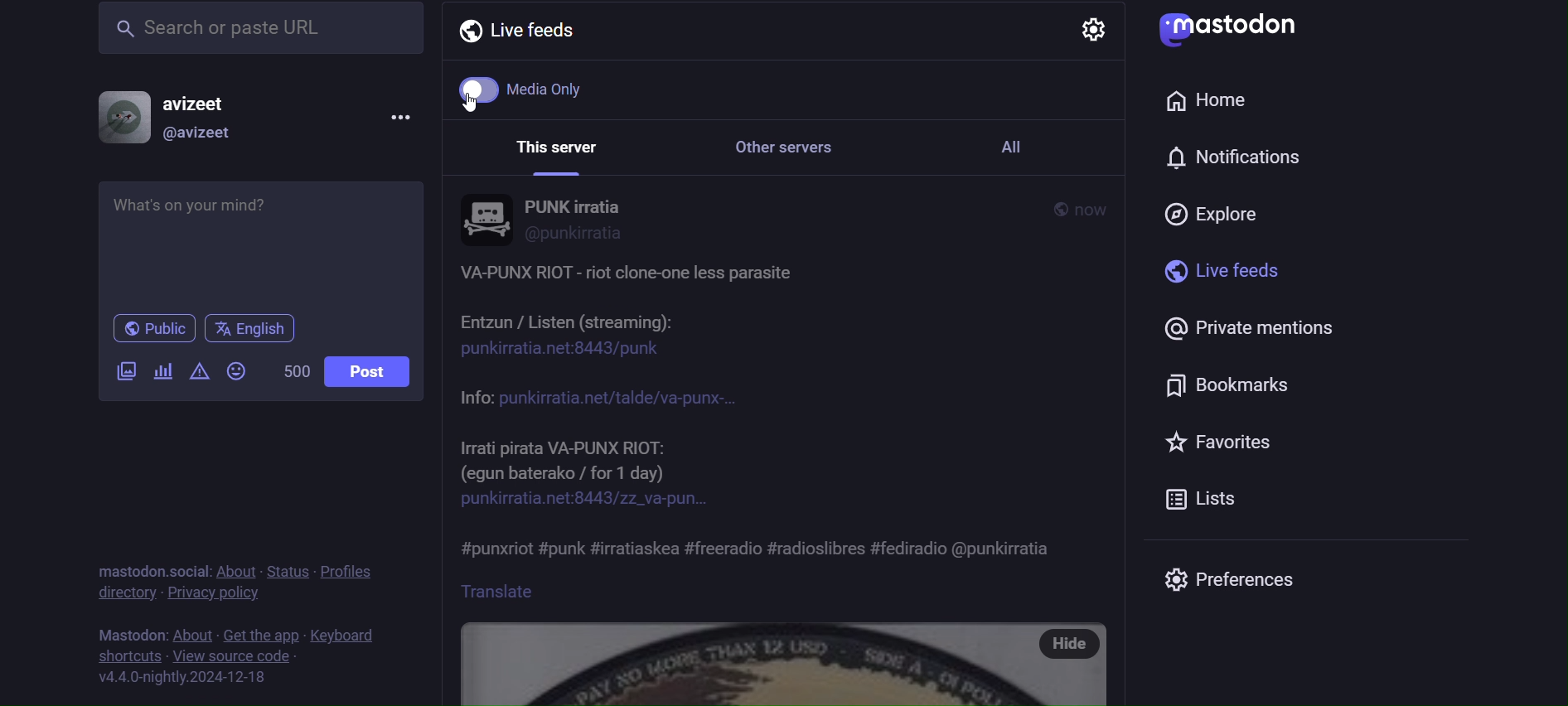 This screenshot has height=706, width=1568. Describe the element at coordinates (781, 415) in the screenshot. I see `VA-PUNX RIOT - riot clone-one less parasiteEntzun / Listen (streaming):punkirratia.net:8443/punkInfo: punkirratia.net/talde/va-punx-...Irrati pirata VA-PUNX RIOT:(egun baterako / for 1 day)punkirratia.net:8443/zz_va-pun...#punxriot #punk #irratiaskea #freeradio #radioslibres #fediradio @punkirratia` at that location.